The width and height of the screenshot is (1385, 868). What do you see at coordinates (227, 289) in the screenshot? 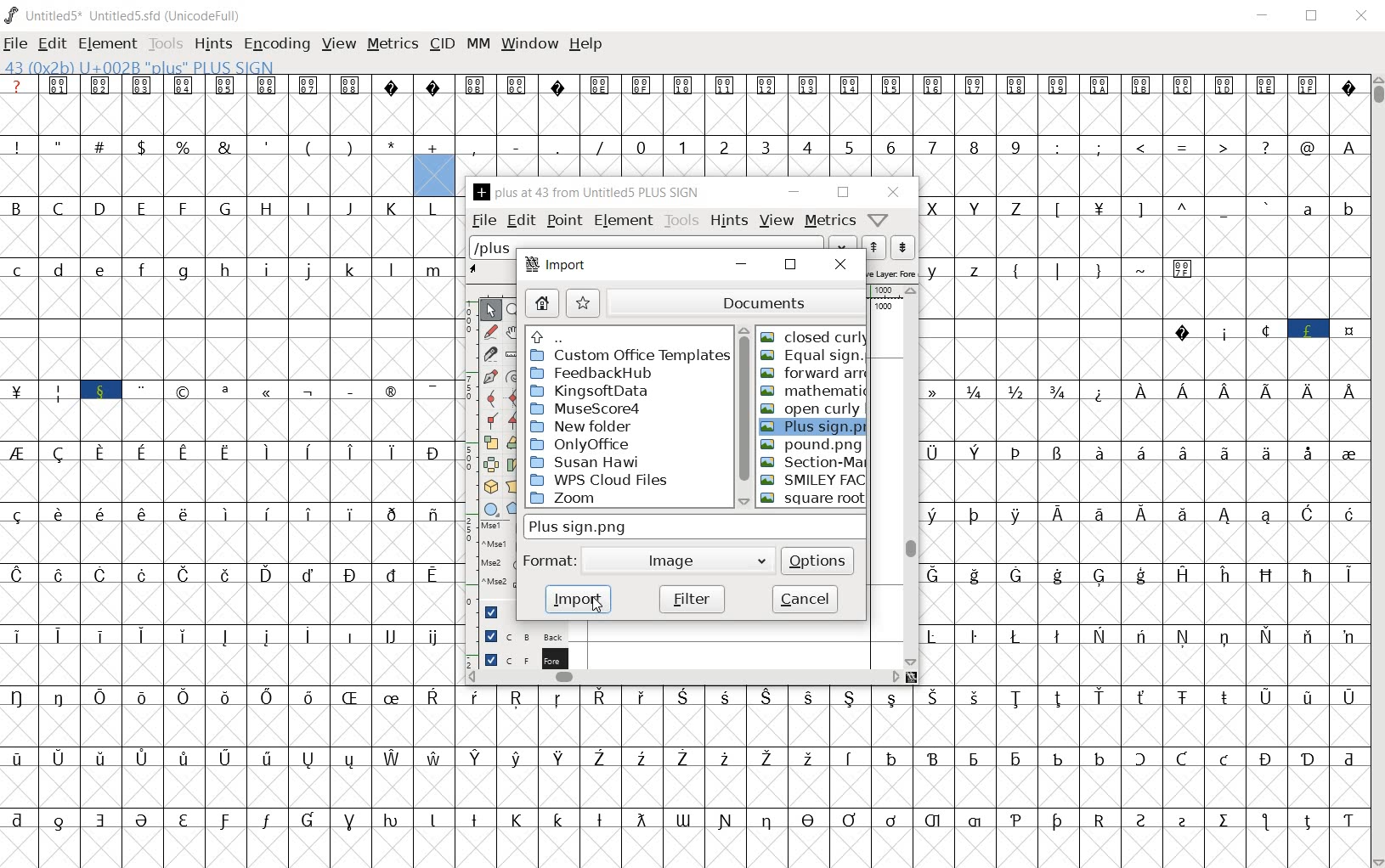
I see `alphabets` at bounding box center [227, 289].